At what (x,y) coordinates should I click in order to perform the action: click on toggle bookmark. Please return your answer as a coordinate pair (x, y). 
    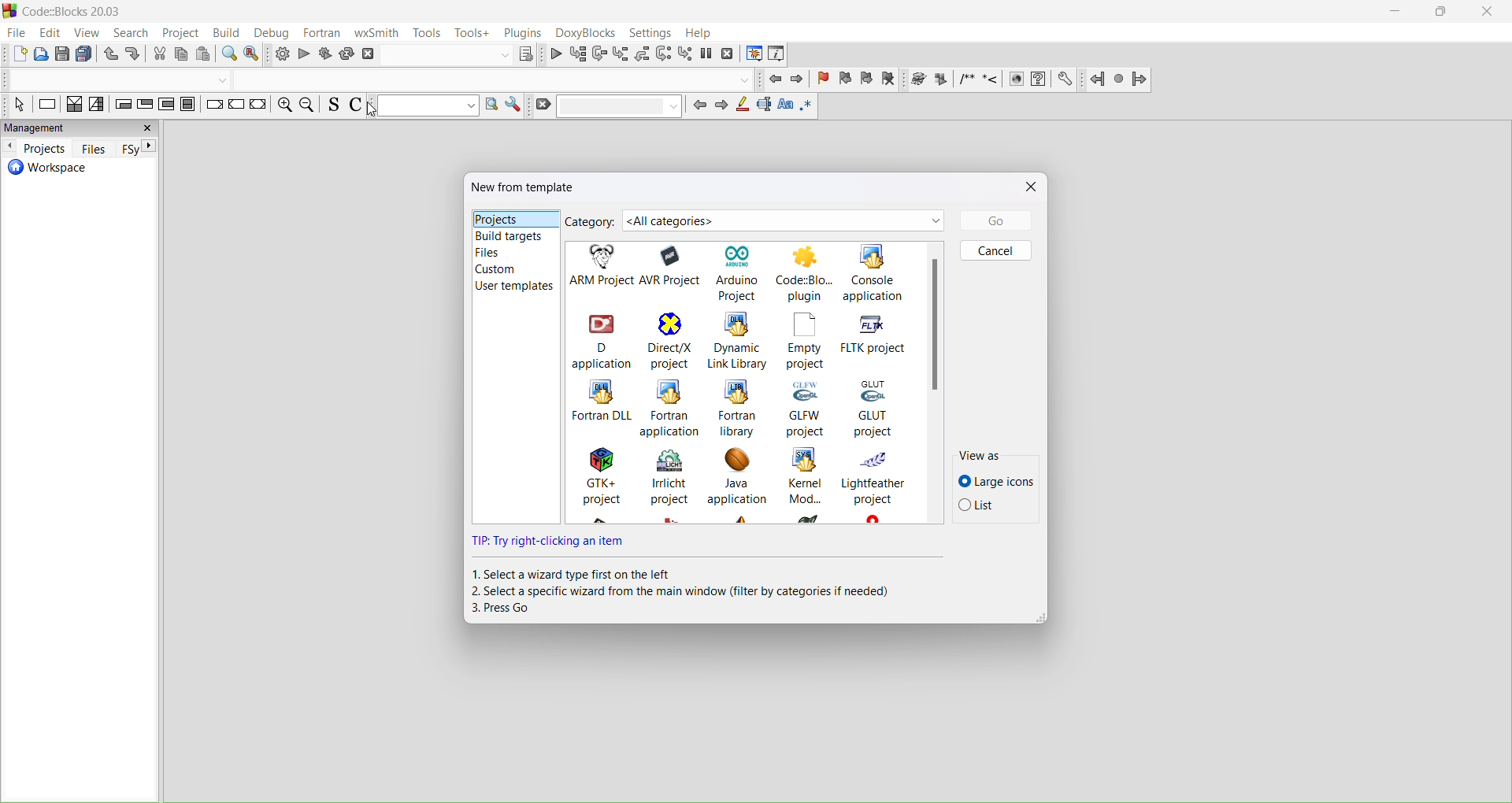
    Looking at the image, I should click on (824, 81).